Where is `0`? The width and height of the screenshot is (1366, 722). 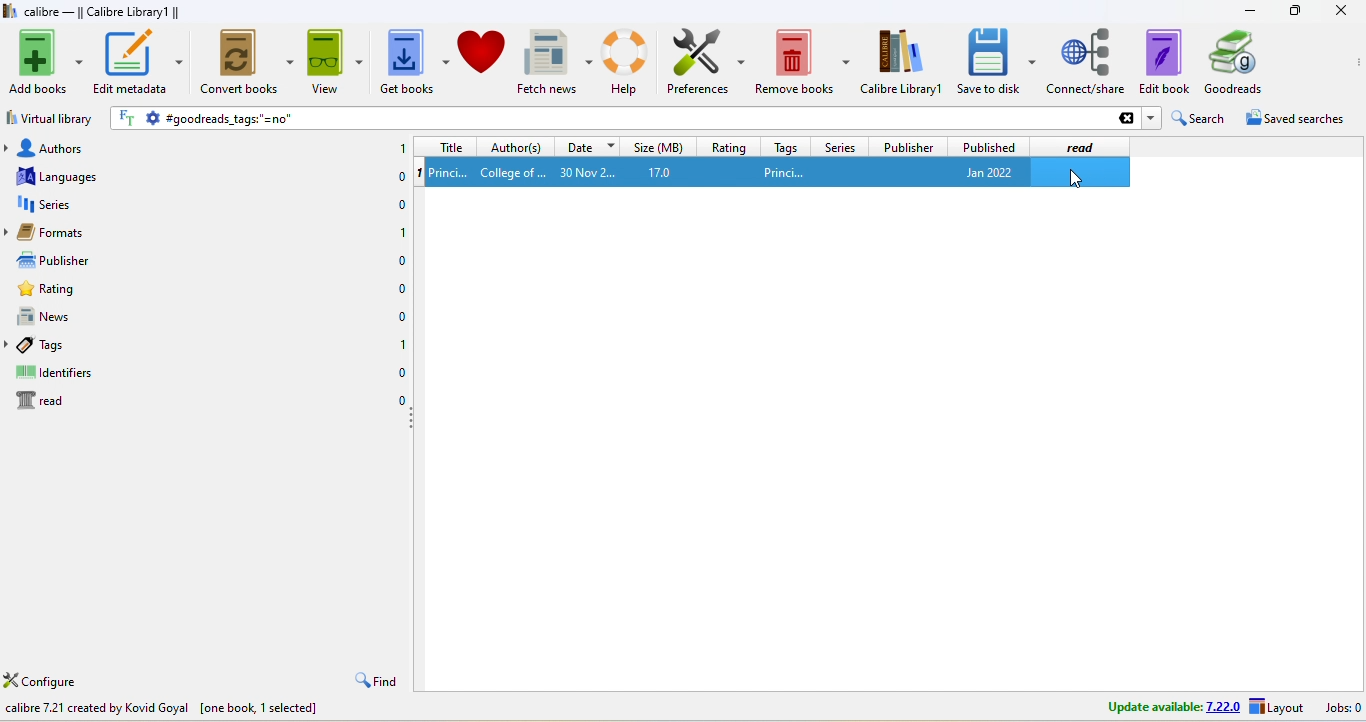
0 is located at coordinates (401, 398).